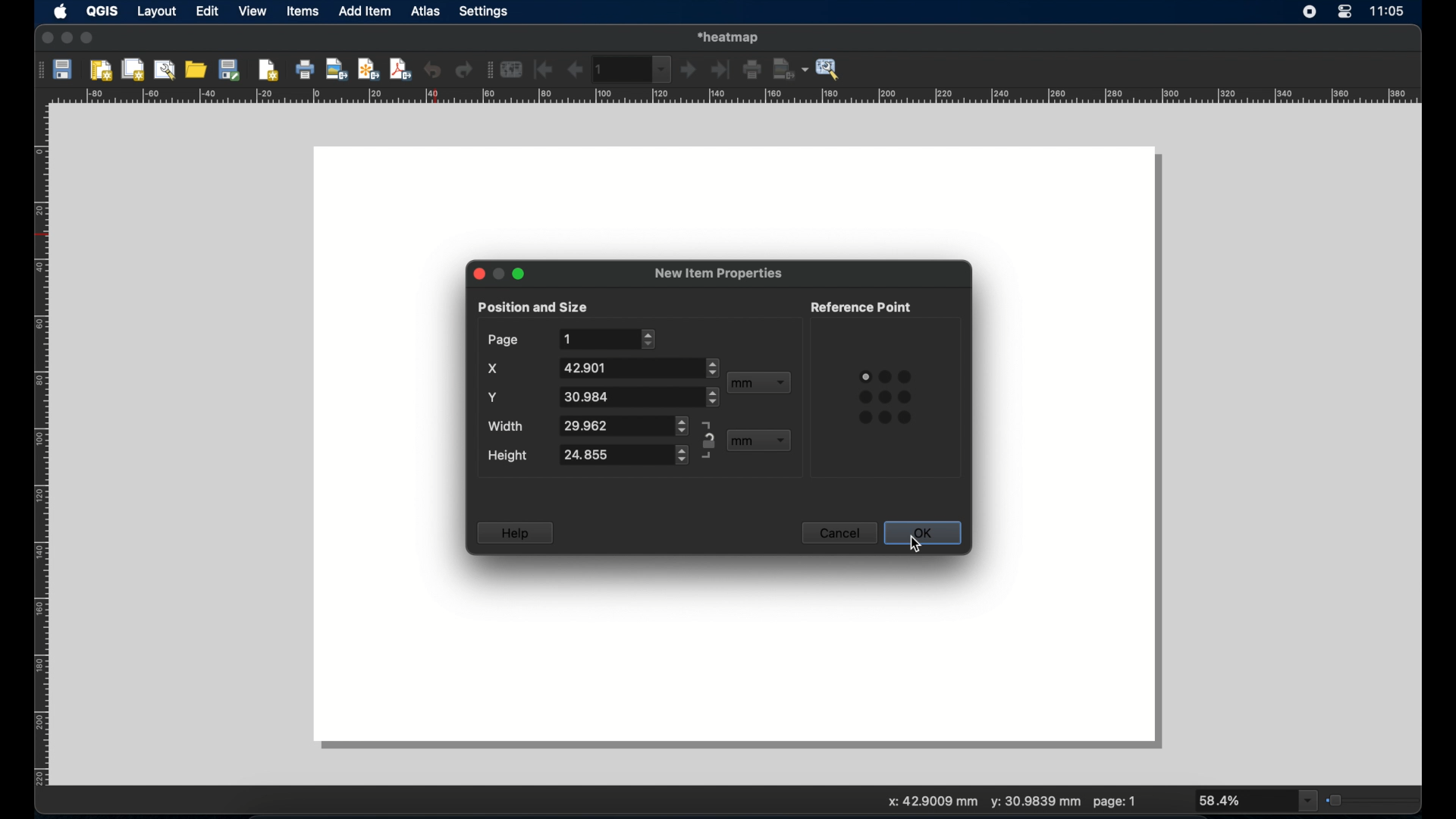 Image resolution: width=1456 pixels, height=819 pixels. What do you see at coordinates (719, 274) in the screenshot?
I see `new item properties` at bounding box center [719, 274].